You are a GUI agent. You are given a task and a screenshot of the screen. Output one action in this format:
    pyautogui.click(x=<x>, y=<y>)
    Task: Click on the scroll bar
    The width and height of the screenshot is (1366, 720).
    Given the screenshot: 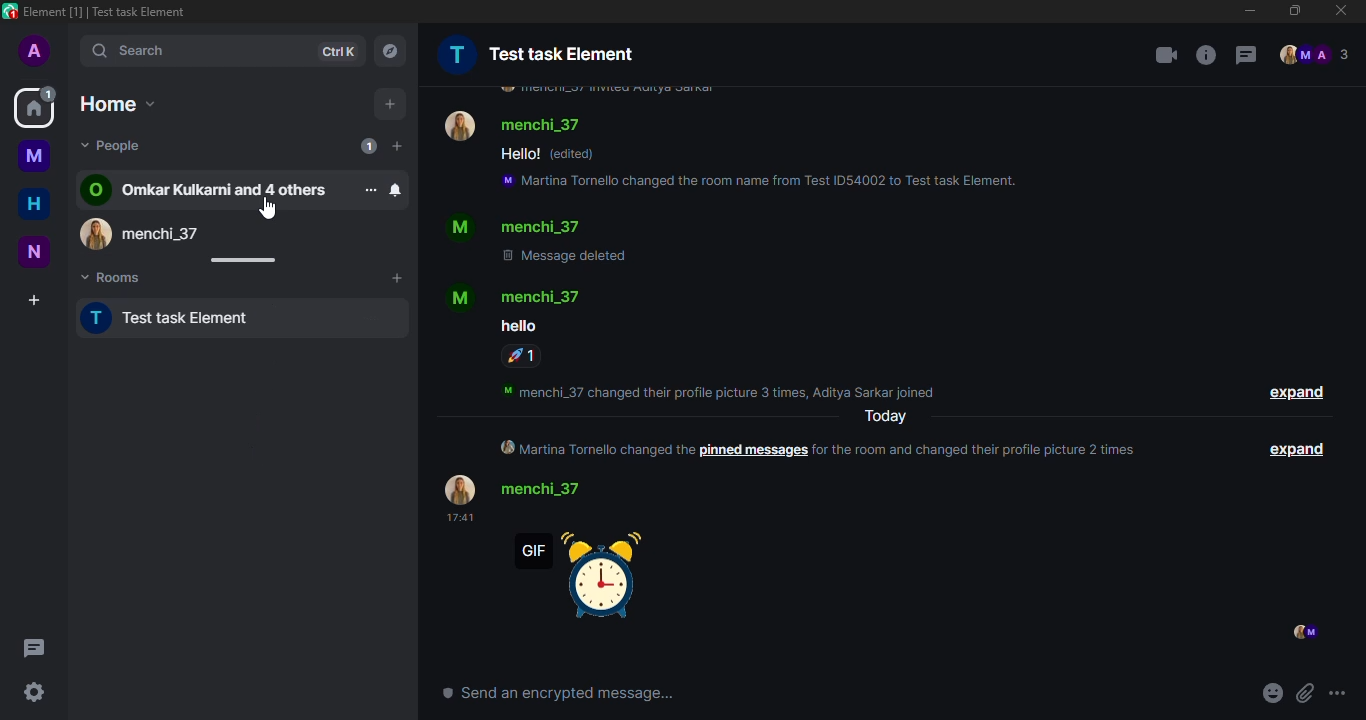 What is the action you would take?
    pyautogui.click(x=242, y=260)
    